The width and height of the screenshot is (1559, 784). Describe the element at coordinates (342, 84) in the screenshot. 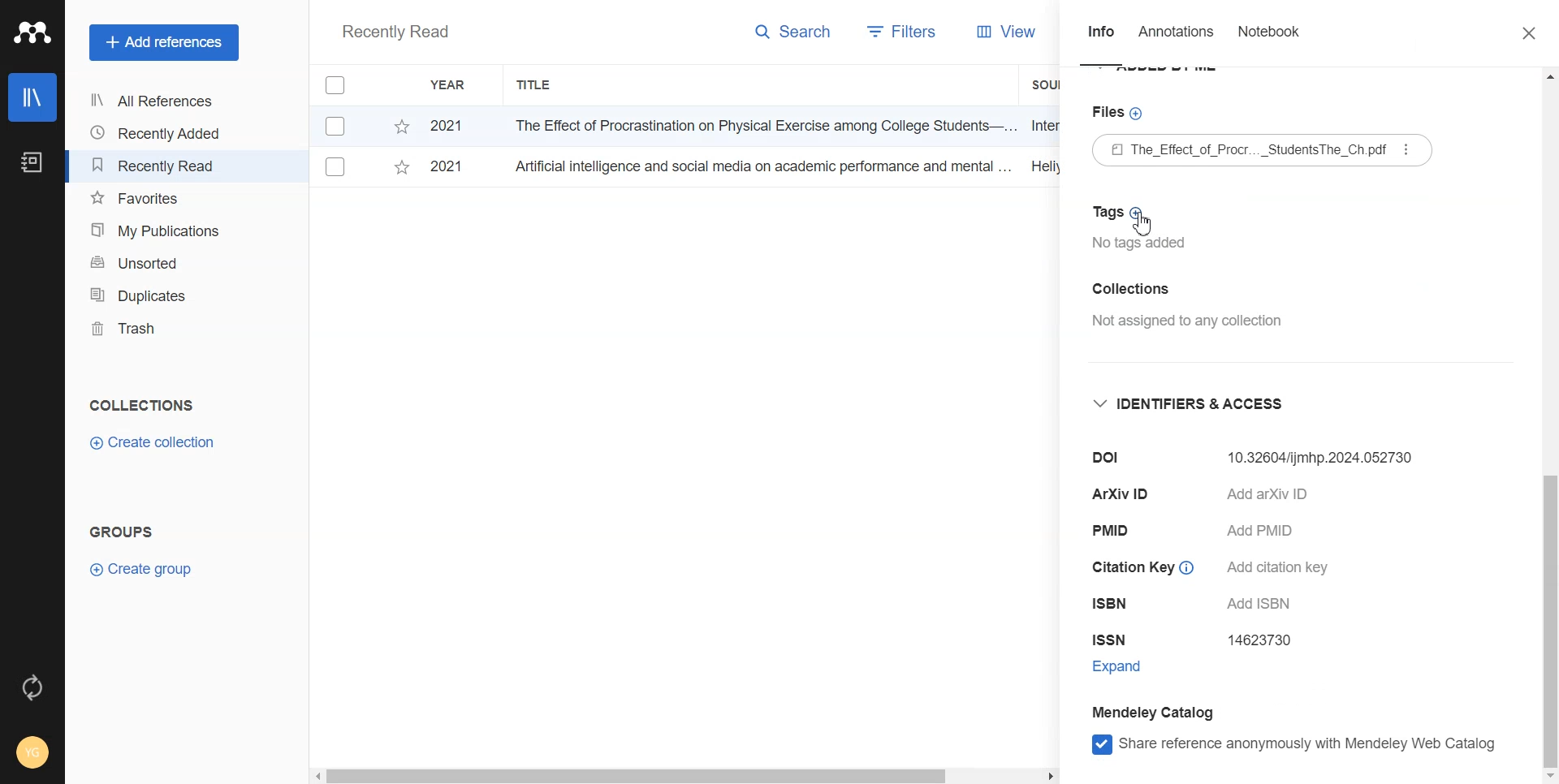

I see `Checkbox` at that location.